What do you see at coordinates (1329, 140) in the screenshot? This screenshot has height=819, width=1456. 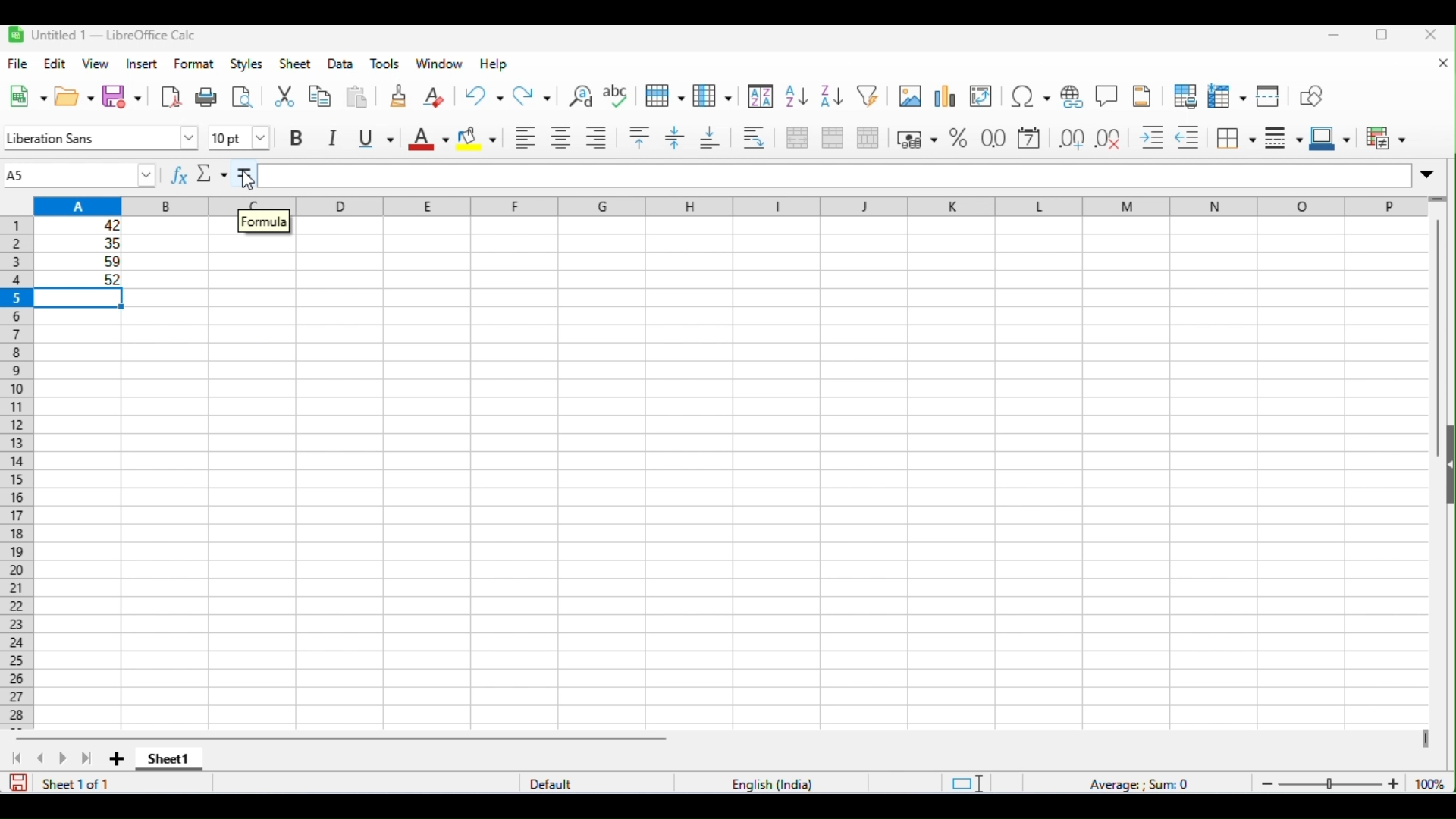 I see `border color` at bounding box center [1329, 140].